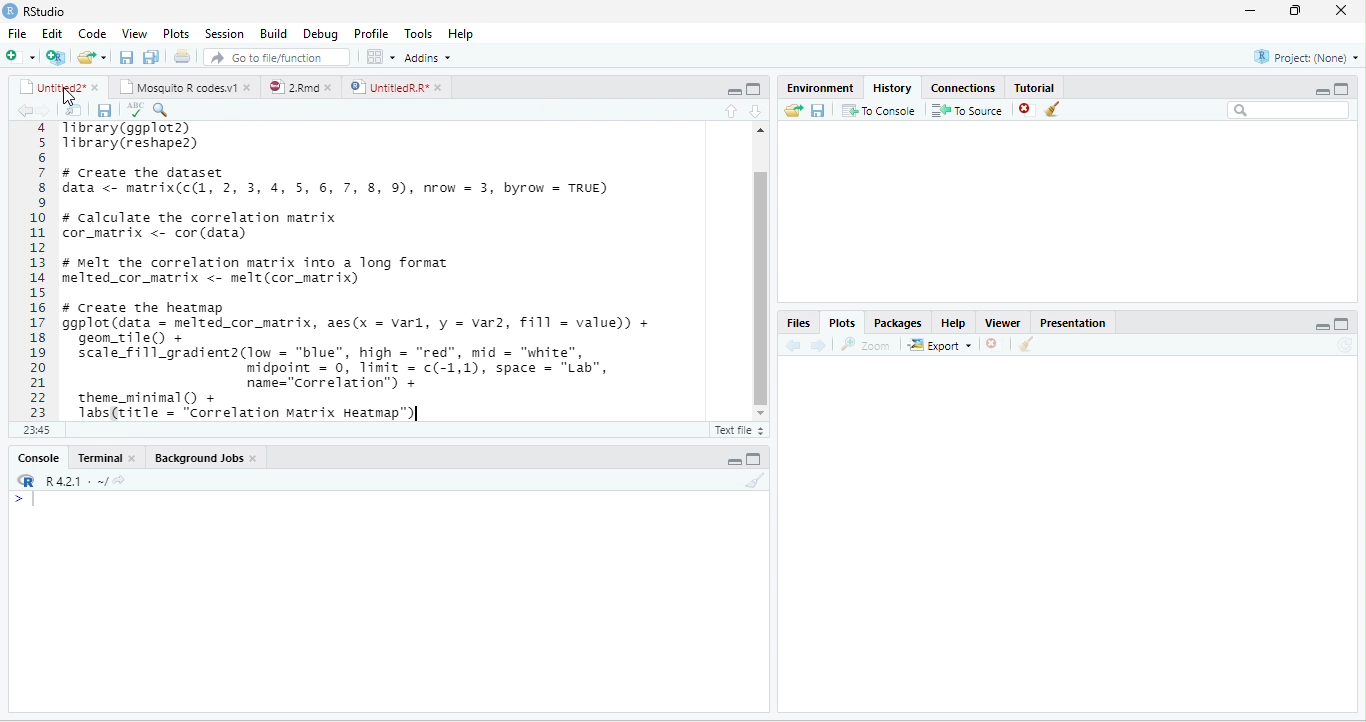  Describe the element at coordinates (812, 86) in the screenshot. I see `environment ` at that location.